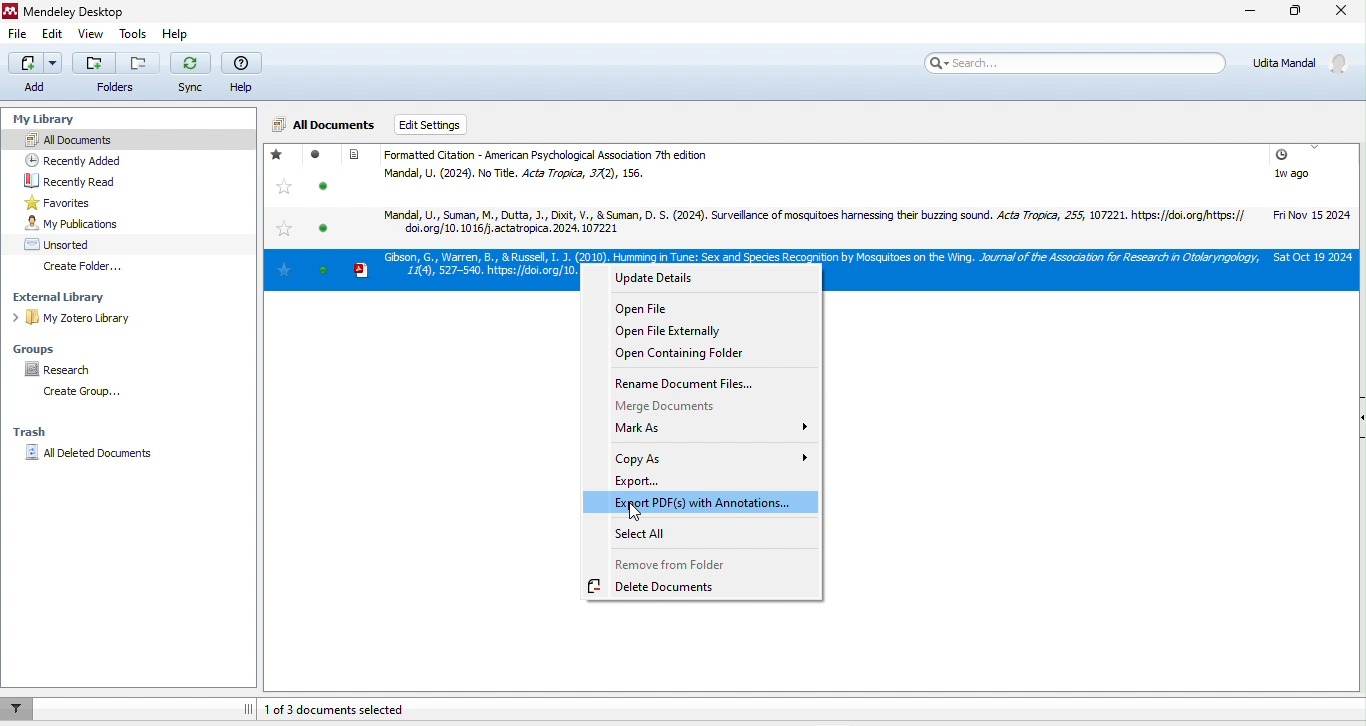  What do you see at coordinates (803, 222) in the screenshot?
I see `Mandal, U., Suman, M., Dutta, J., Dix, V., & Suman, D. S. (2024). Surveillance of mosquitoes hamessing their buzzing sound. Acta Tropica, 2535, 107221. httips:/fdoi.org/h‘oi.org/ 10. 1016 actatropica. 2024. 107221` at bounding box center [803, 222].